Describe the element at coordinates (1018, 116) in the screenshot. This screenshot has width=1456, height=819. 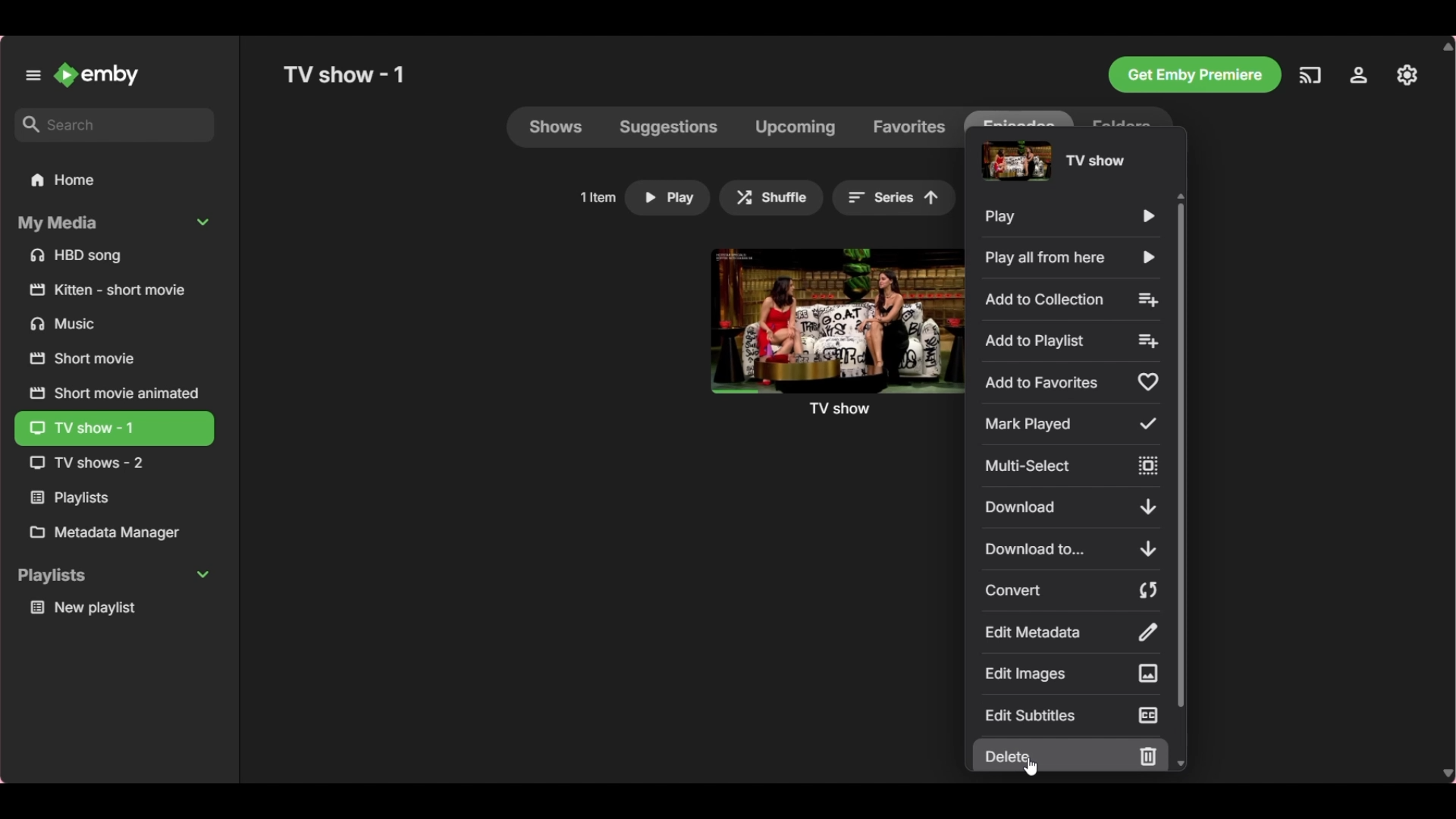
I see `Current selection highlighted` at that location.